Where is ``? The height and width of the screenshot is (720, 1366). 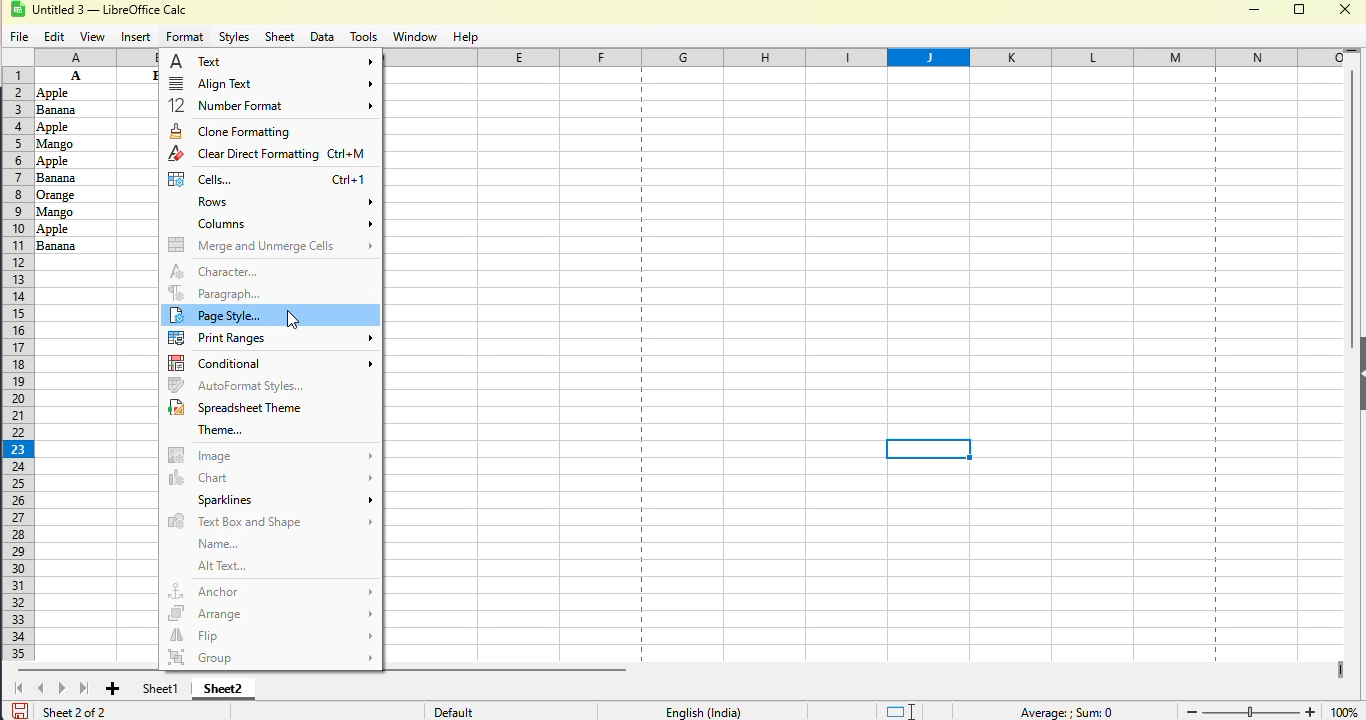  is located at coordinates (71, 110).